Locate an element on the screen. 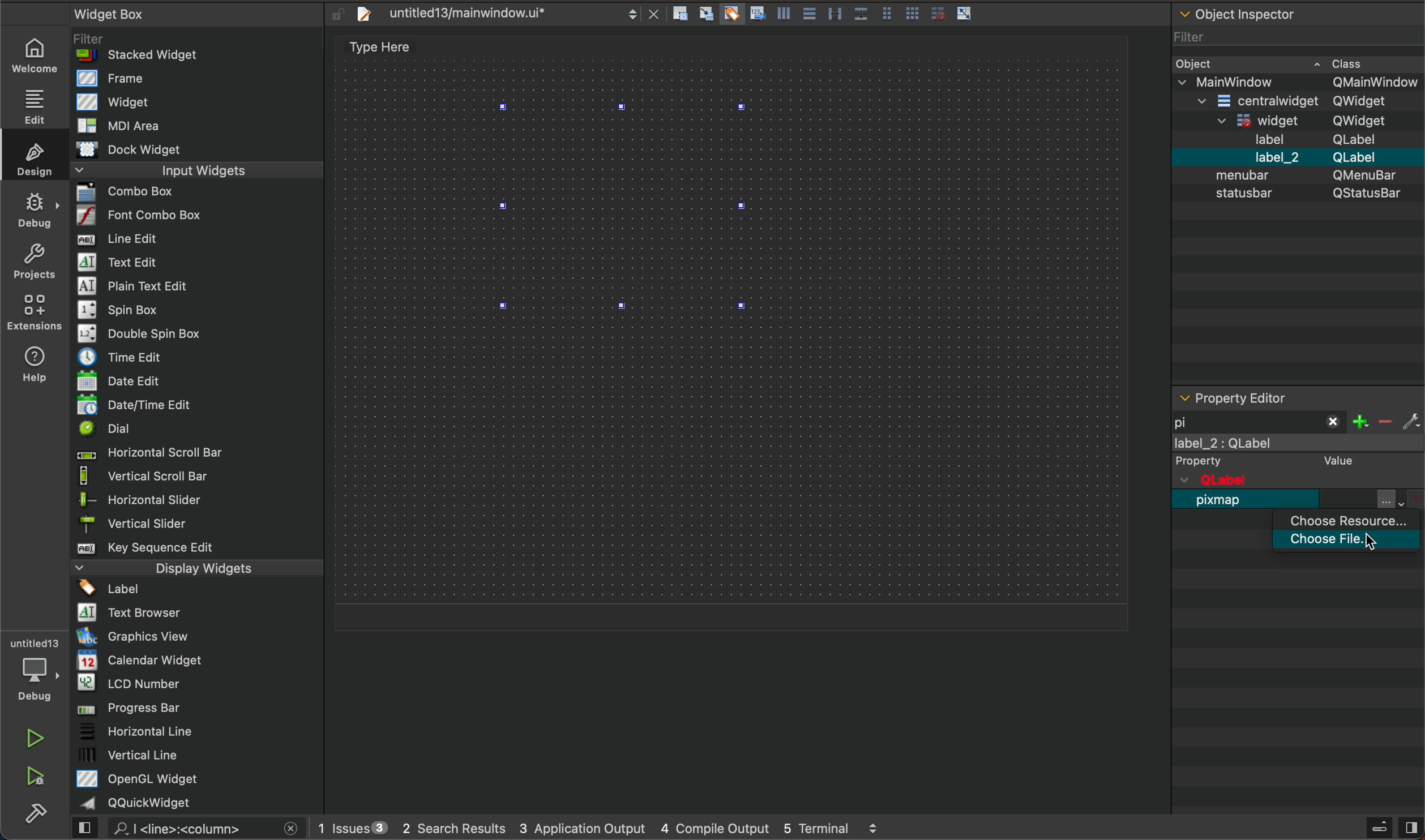 Image resolution: width=1425 pixels, height=840 pixels. logs is located at coordinates (605, 830).